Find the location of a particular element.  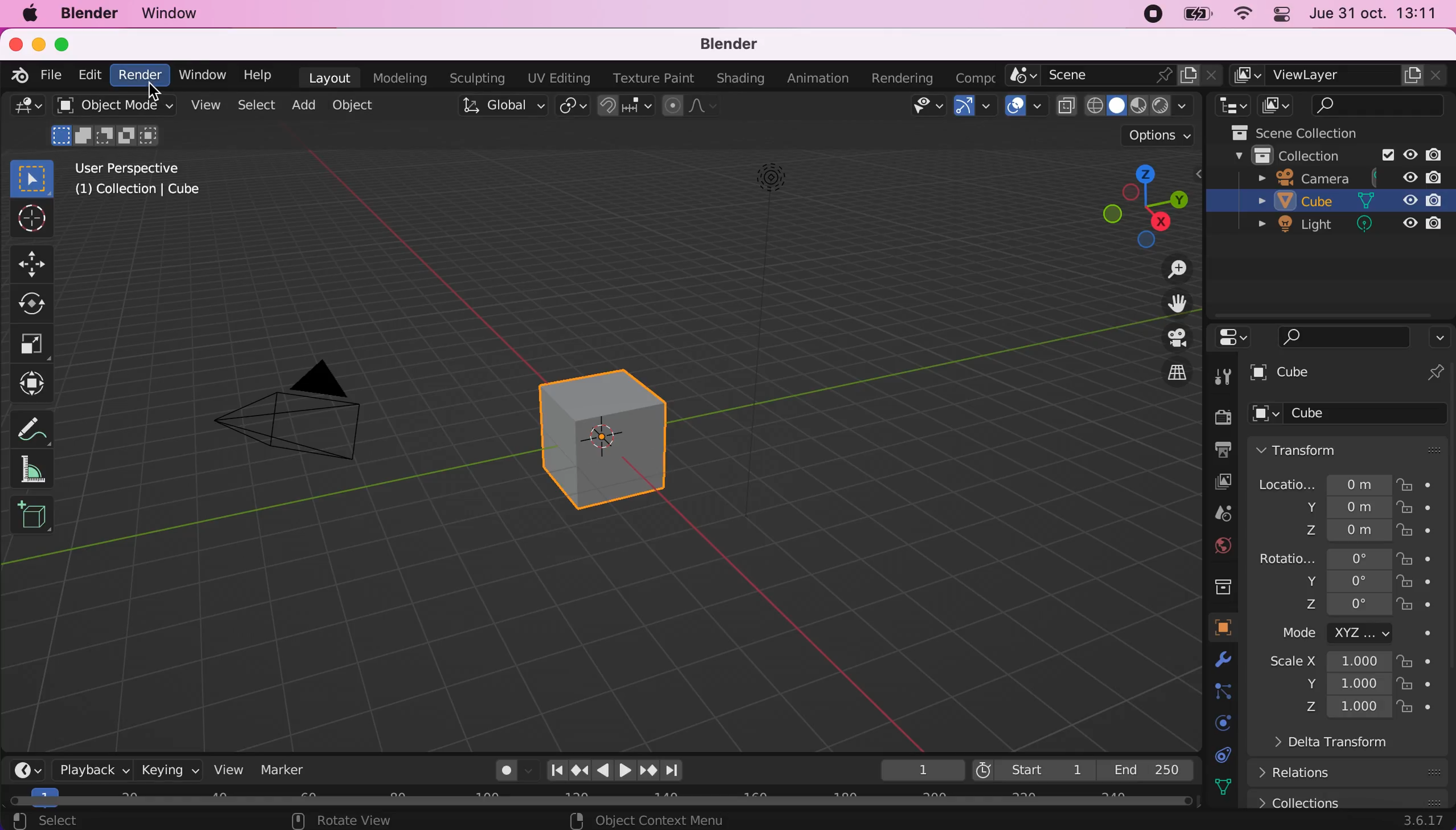

measure is located at coordinates (36, 473).